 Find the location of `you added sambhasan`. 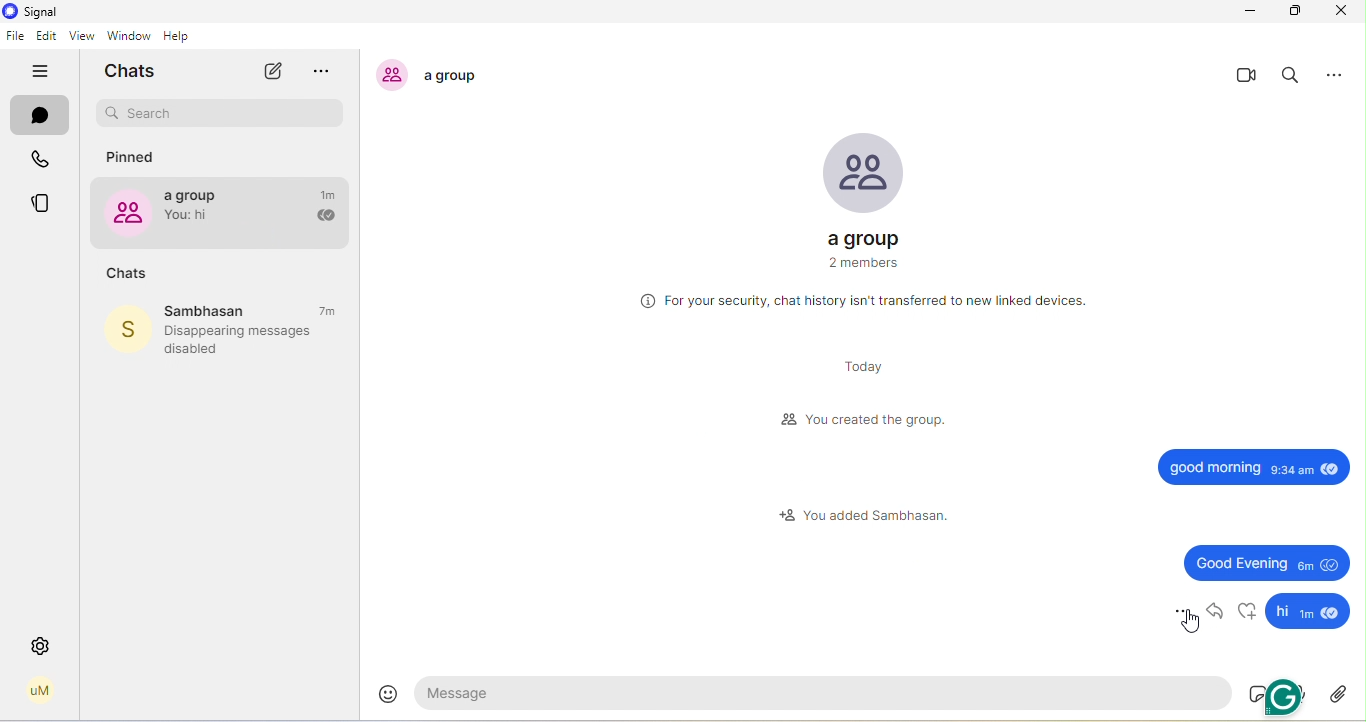

you added sambhasan is located at coordinates (861, 514).